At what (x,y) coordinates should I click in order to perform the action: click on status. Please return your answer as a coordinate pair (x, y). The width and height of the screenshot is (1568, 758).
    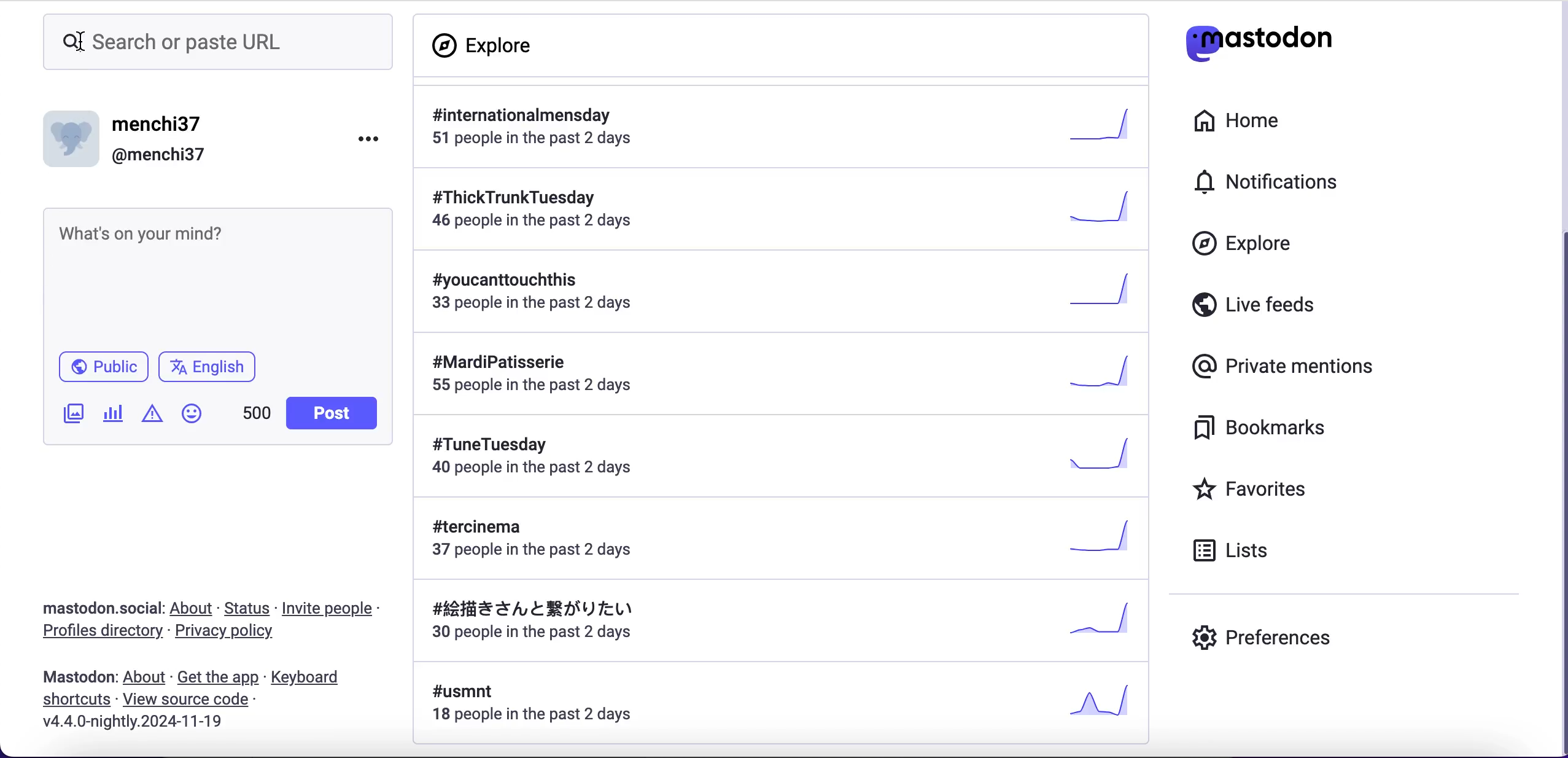
    Looking at the image, I should click on (247, 609).